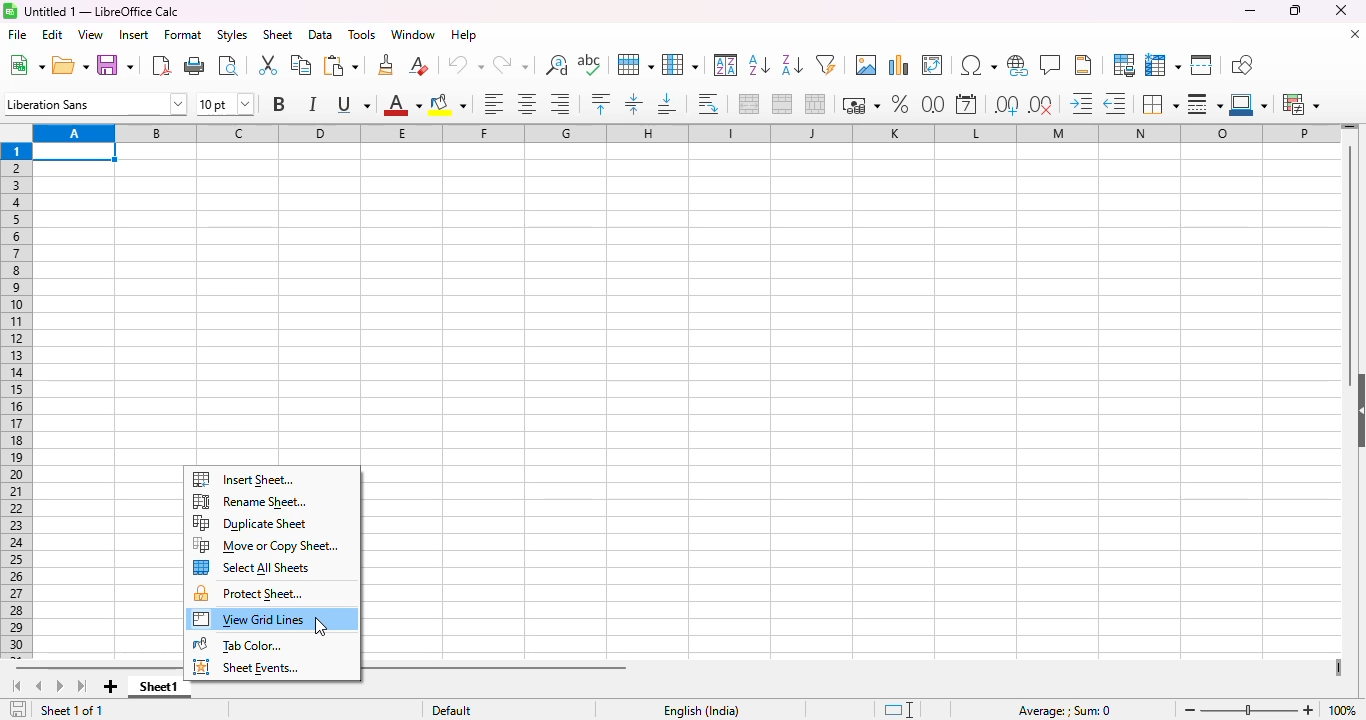 The image size is (1366, 720). Describe the element at coordinates (634, 103) in the screenshot. I see `center vertically` at that location.